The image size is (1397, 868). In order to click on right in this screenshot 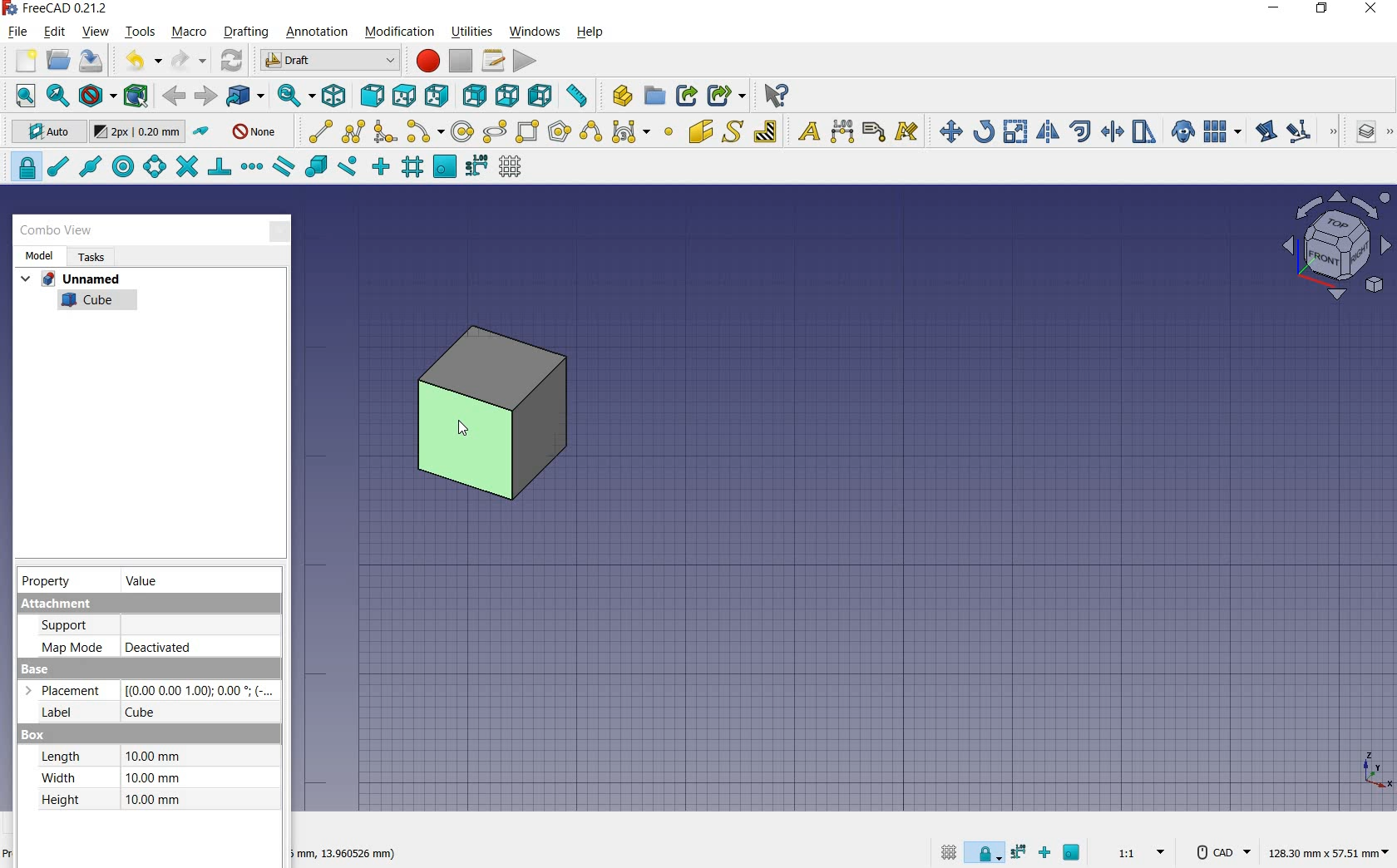, I will do `click(437, 95)`.